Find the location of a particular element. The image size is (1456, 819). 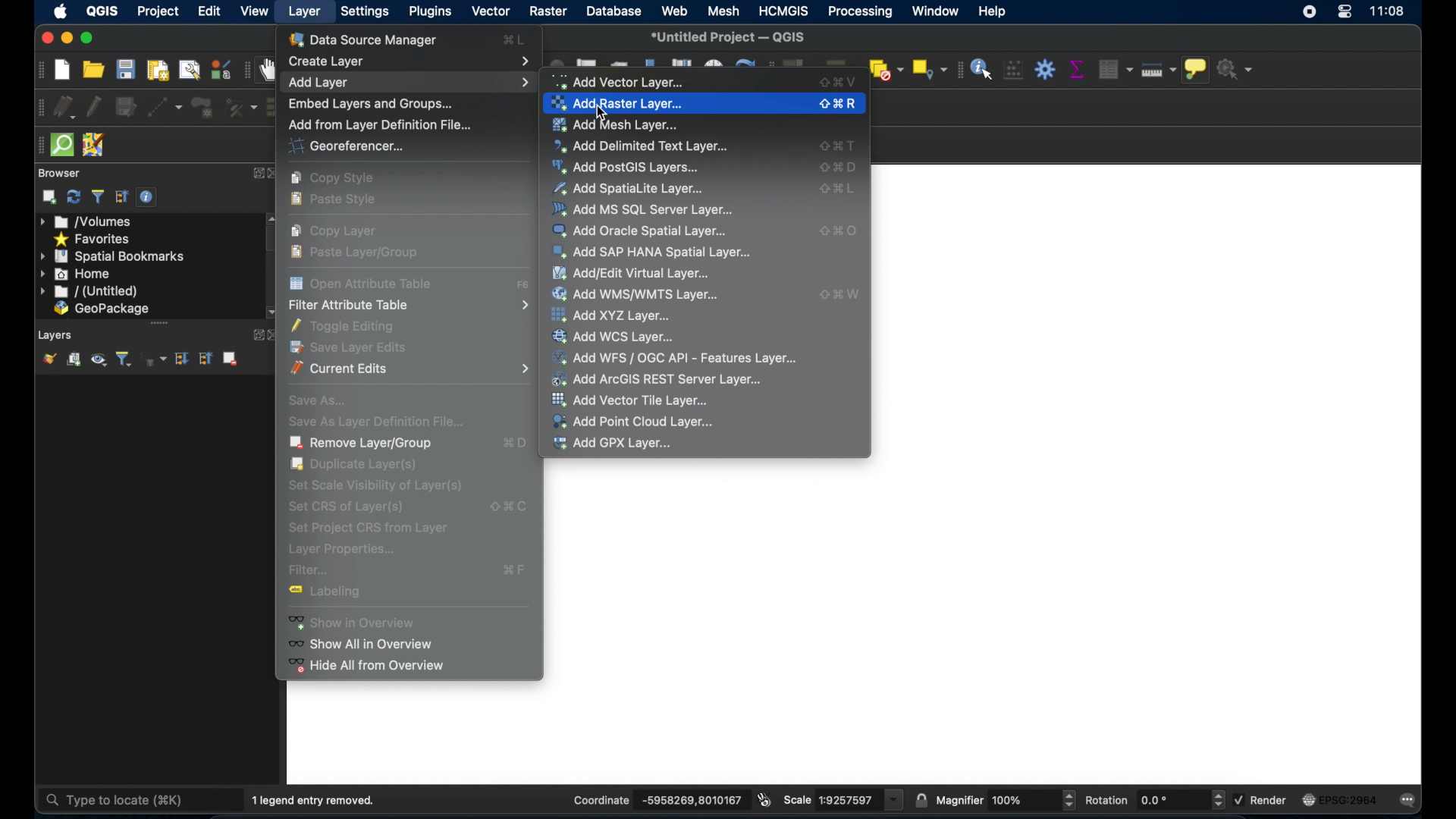

add wms/wmts layer is located at coordinates (840, 293).